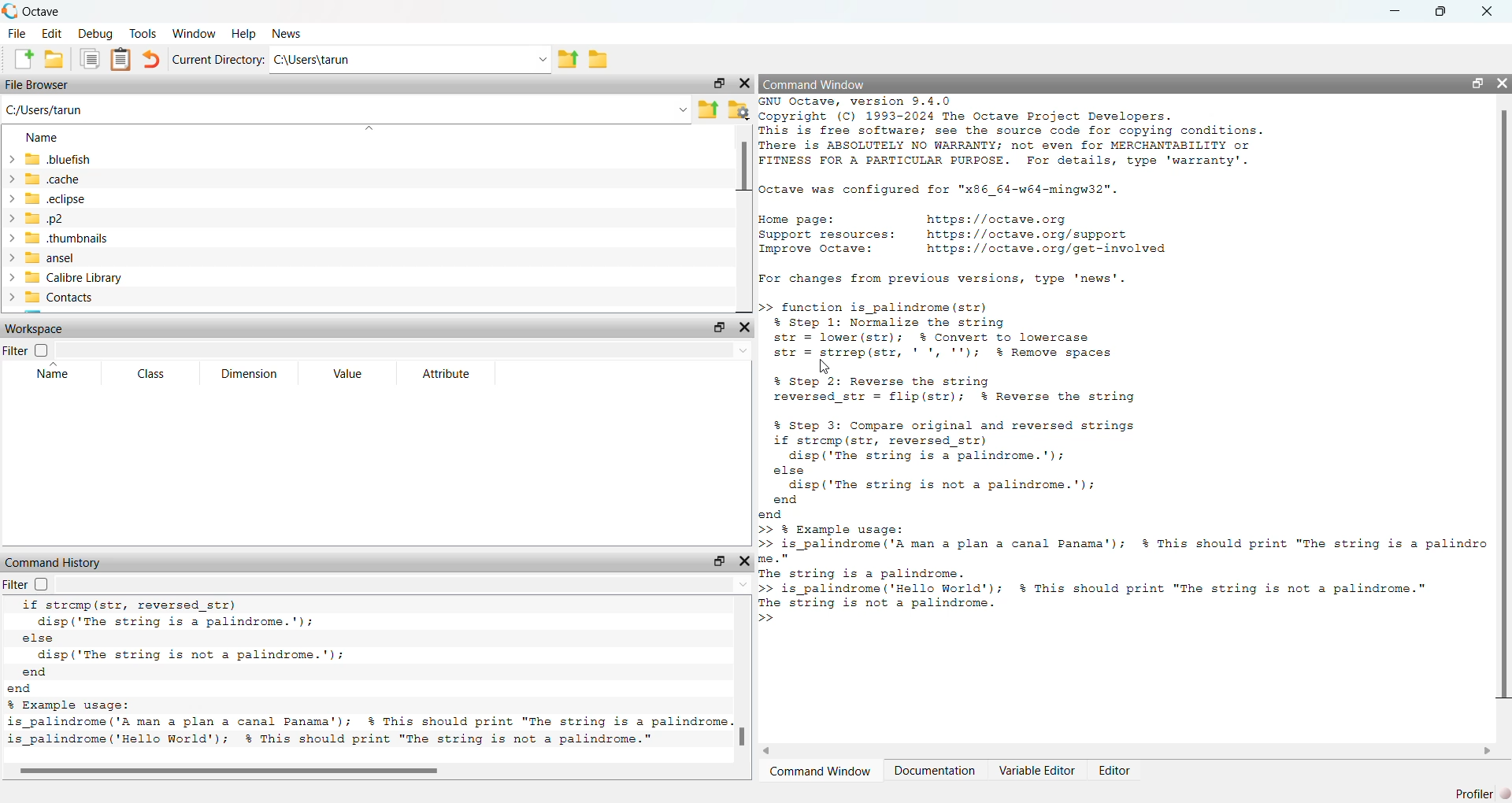 Image resolution: width=1512 pixels, height=803 pixels. What do you see at coordinates (769, 619) in the screenshot?
I see `prompt cursor` at bounding box center [769, 619].